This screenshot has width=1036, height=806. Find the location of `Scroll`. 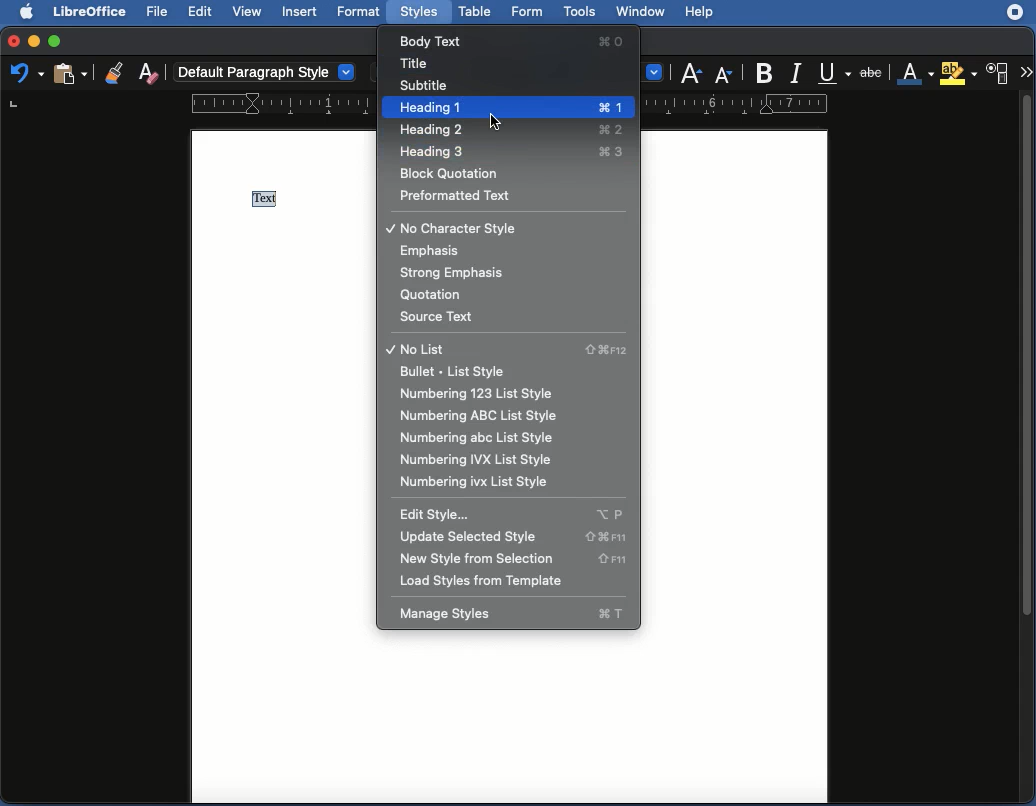

Scroll is located at coordinates (1028, 449).